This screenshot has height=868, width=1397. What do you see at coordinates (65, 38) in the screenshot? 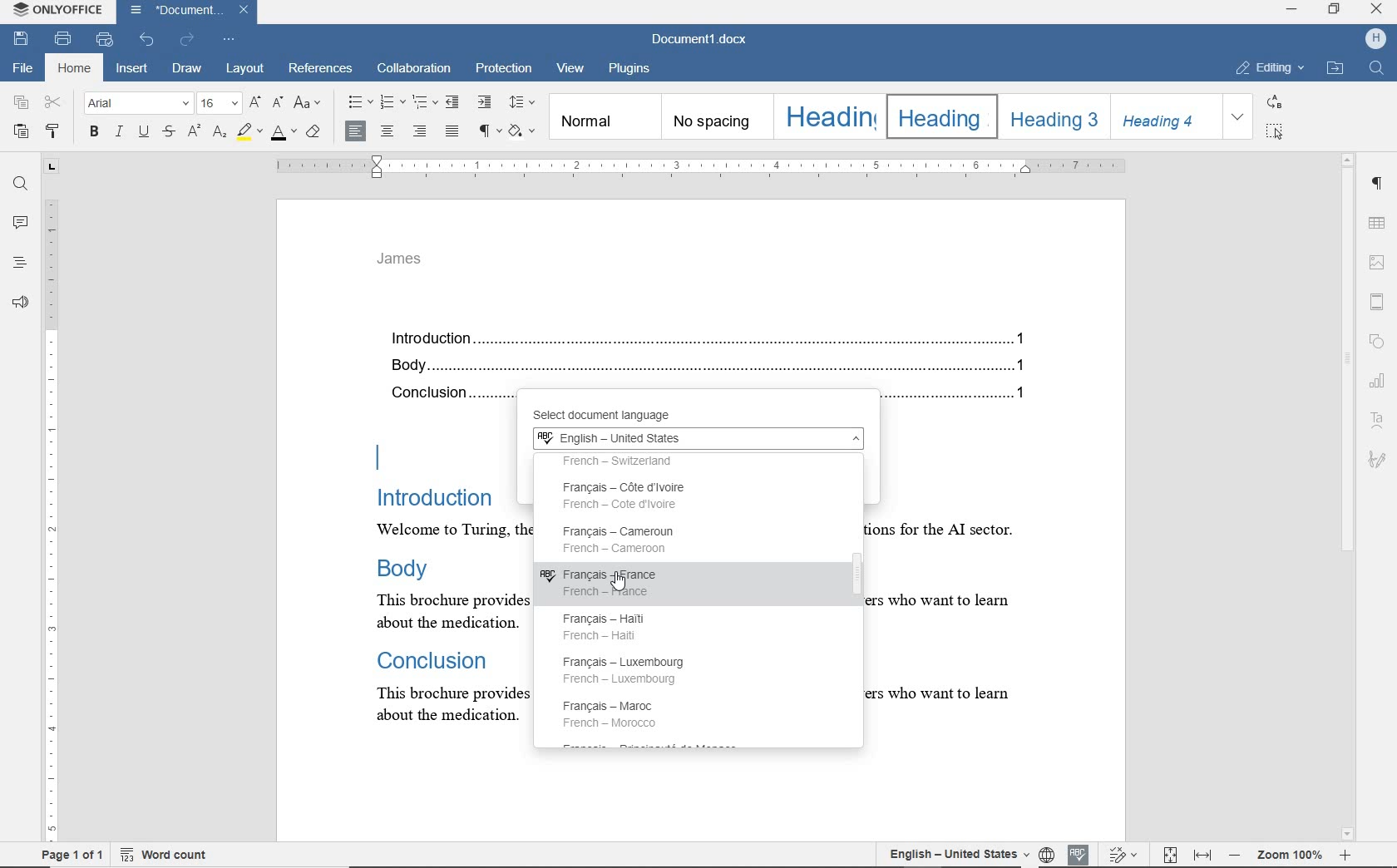
I see `print` at bounding box center [65, 38].